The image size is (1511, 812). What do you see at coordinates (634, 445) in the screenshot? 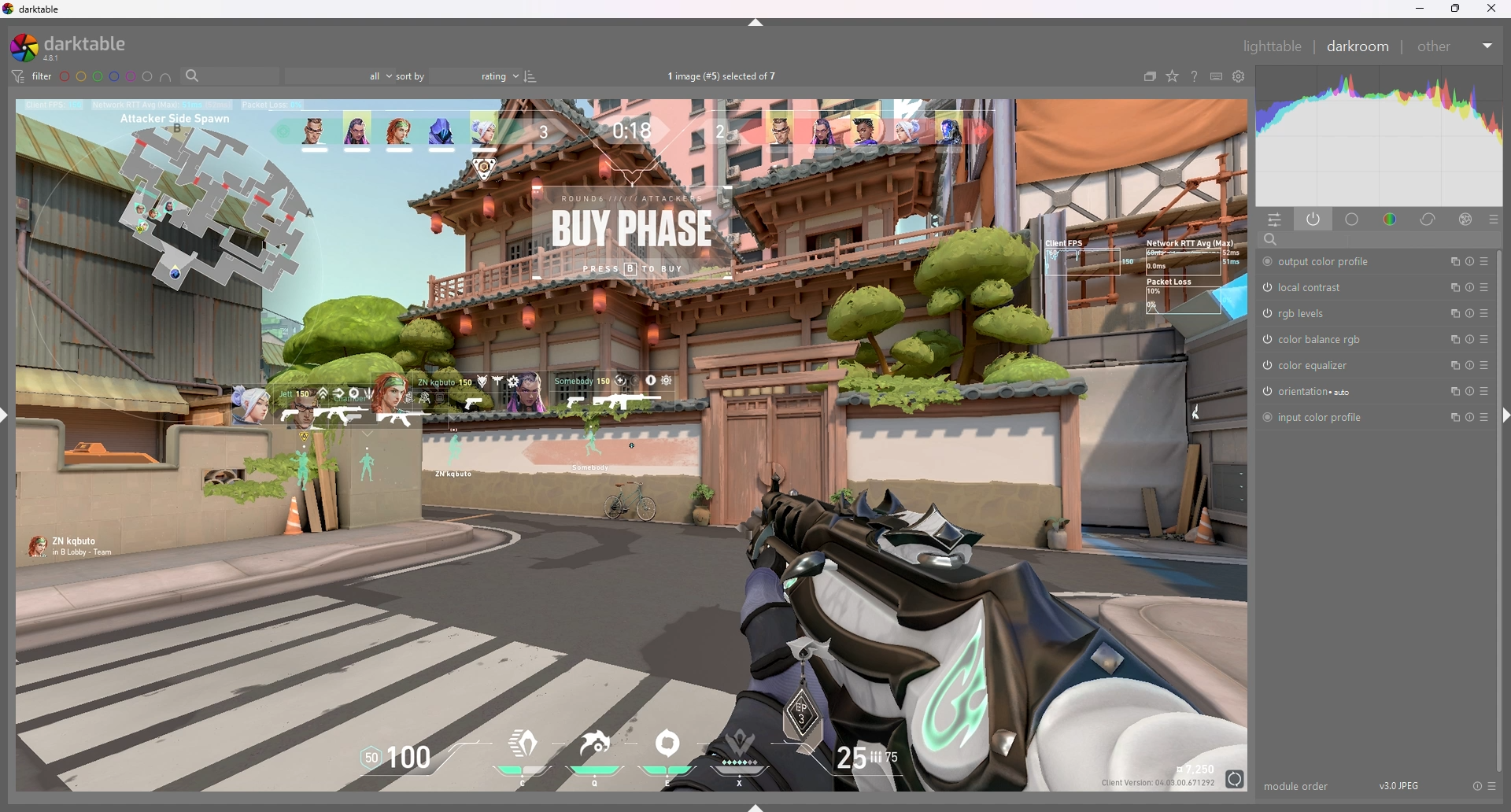
I see `photo` at bounding box center [634, 445].